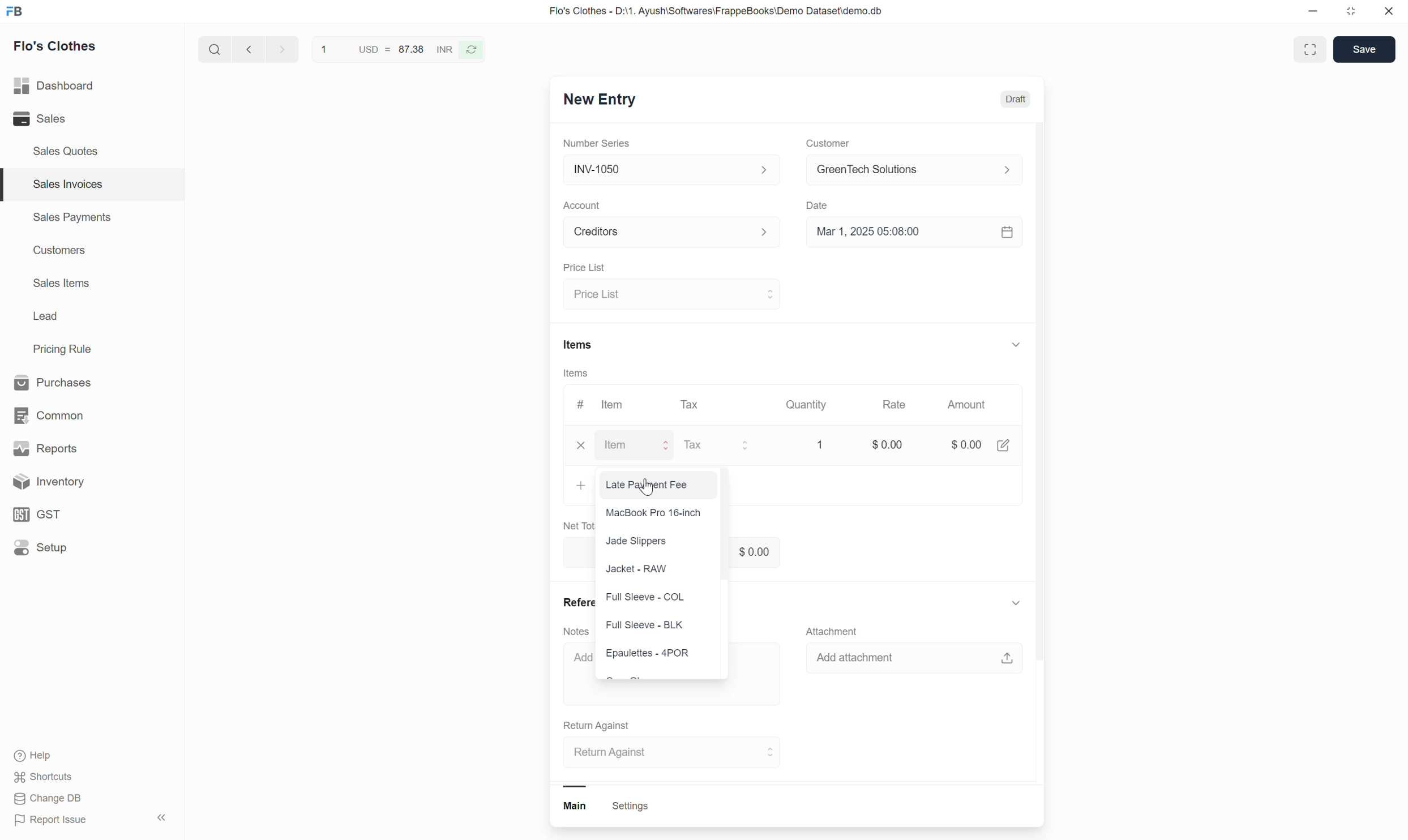 This screenshot has height=840, width=1408. I want to click on #, so click(577, 405).